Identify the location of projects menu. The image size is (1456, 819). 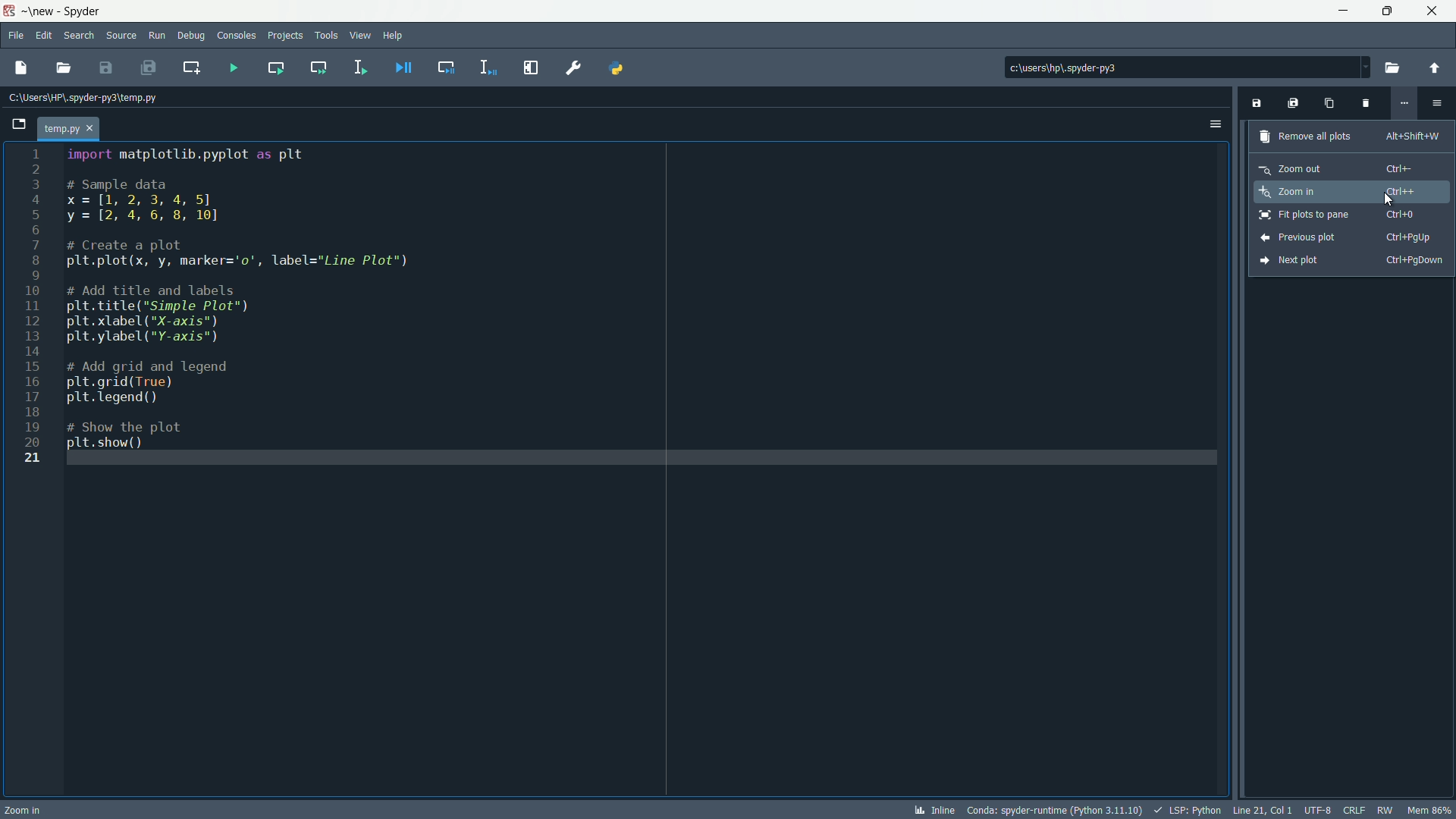
(285, 36).